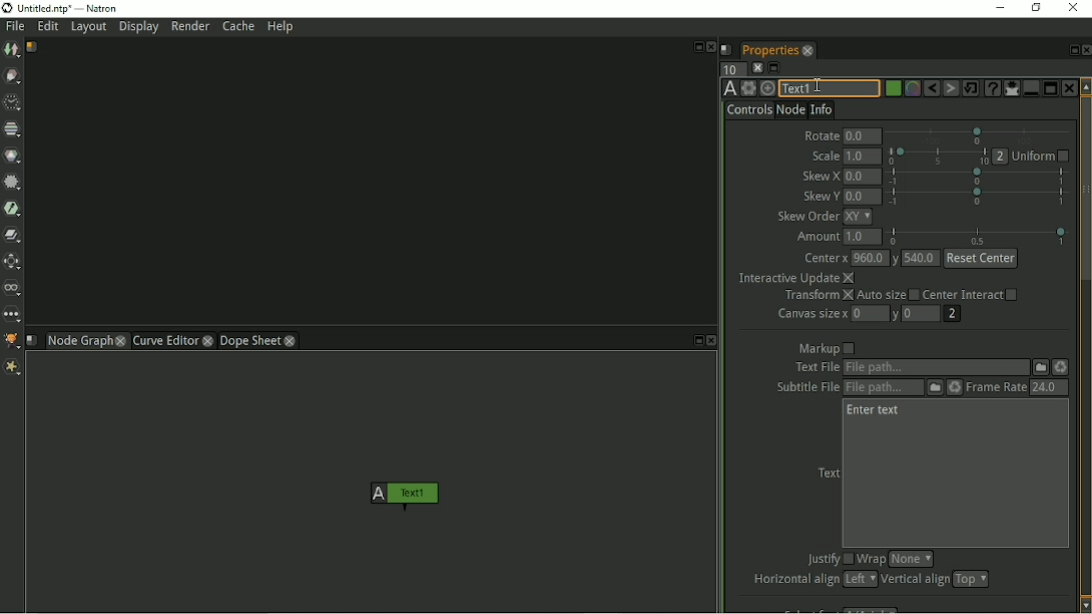  What do you see at coordinates (401, 496) in the screenshot?
I see `Text1` at bounding box center [401, 496].